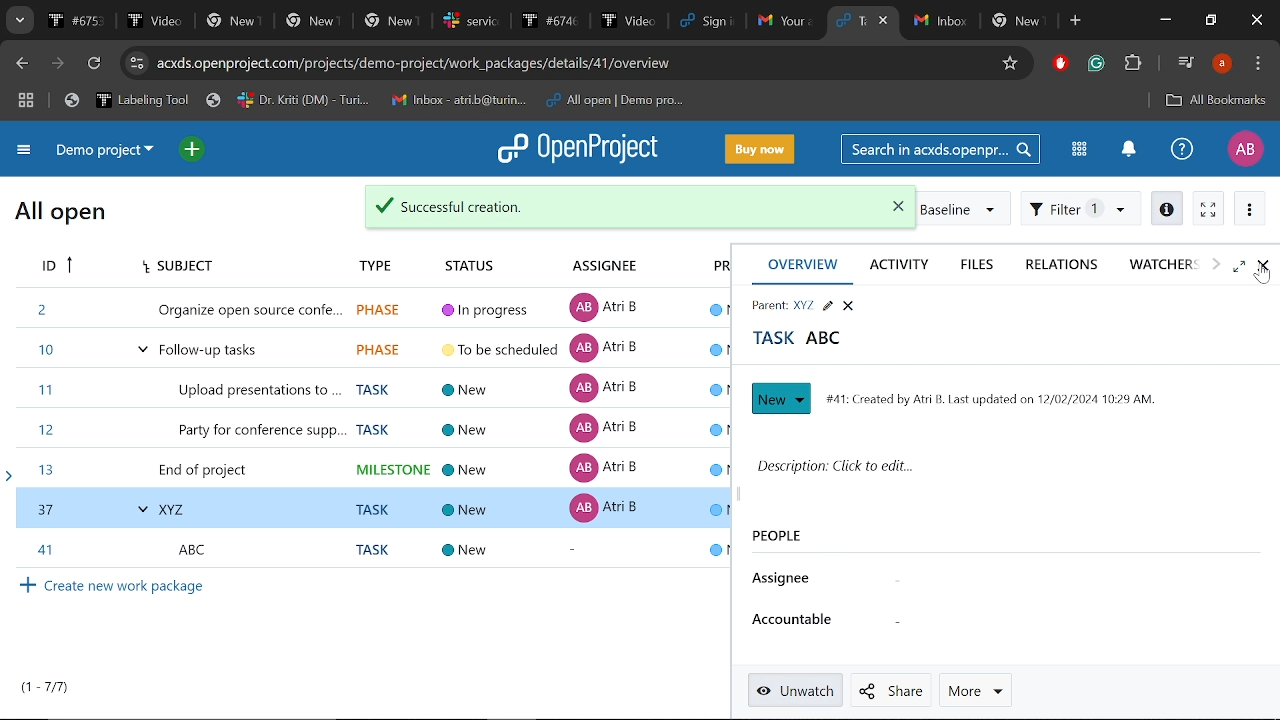 This screenshot has width=1280, height=720. I want to click on Activity, so click(905, 266).